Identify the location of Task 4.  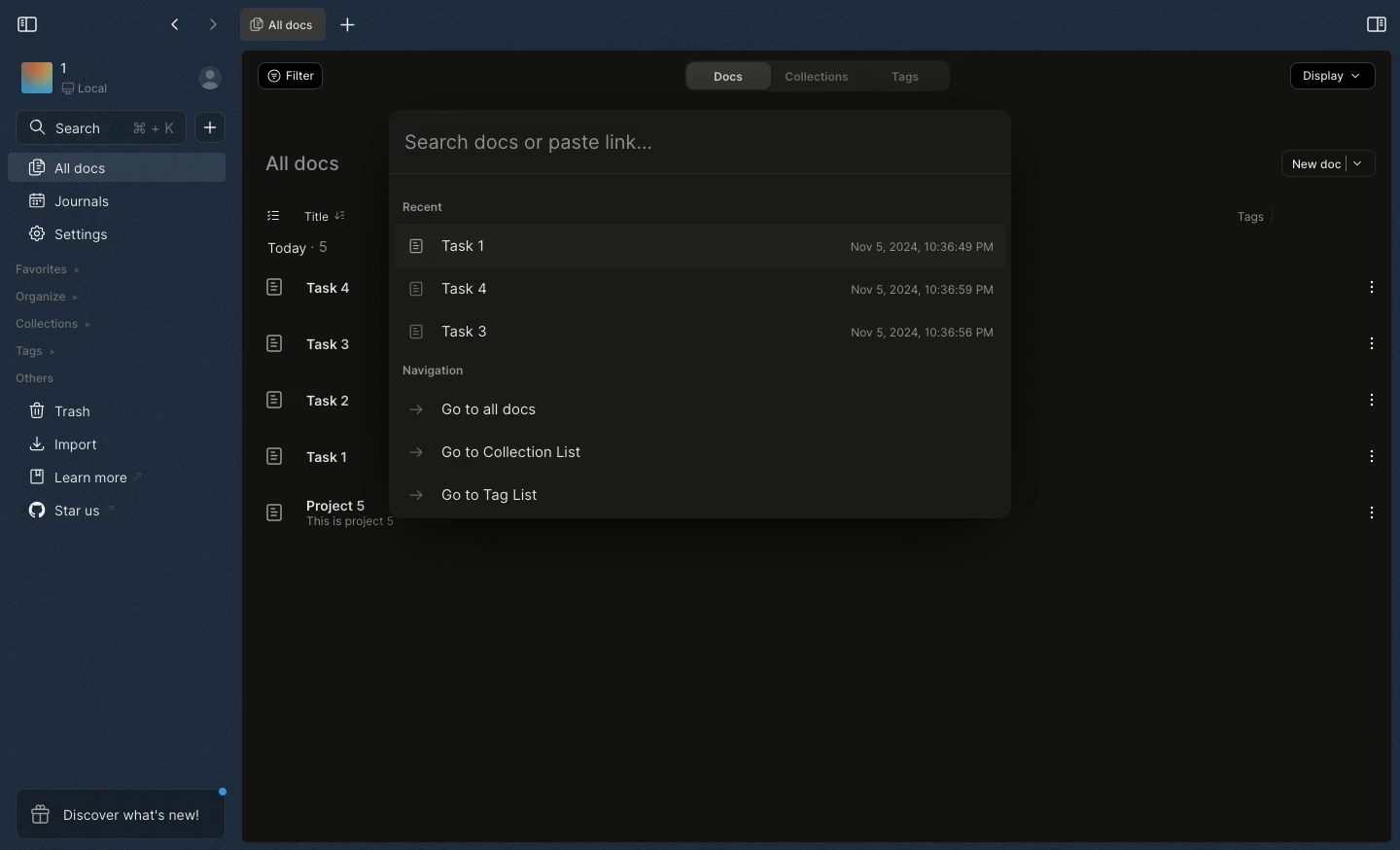
(699, 287).